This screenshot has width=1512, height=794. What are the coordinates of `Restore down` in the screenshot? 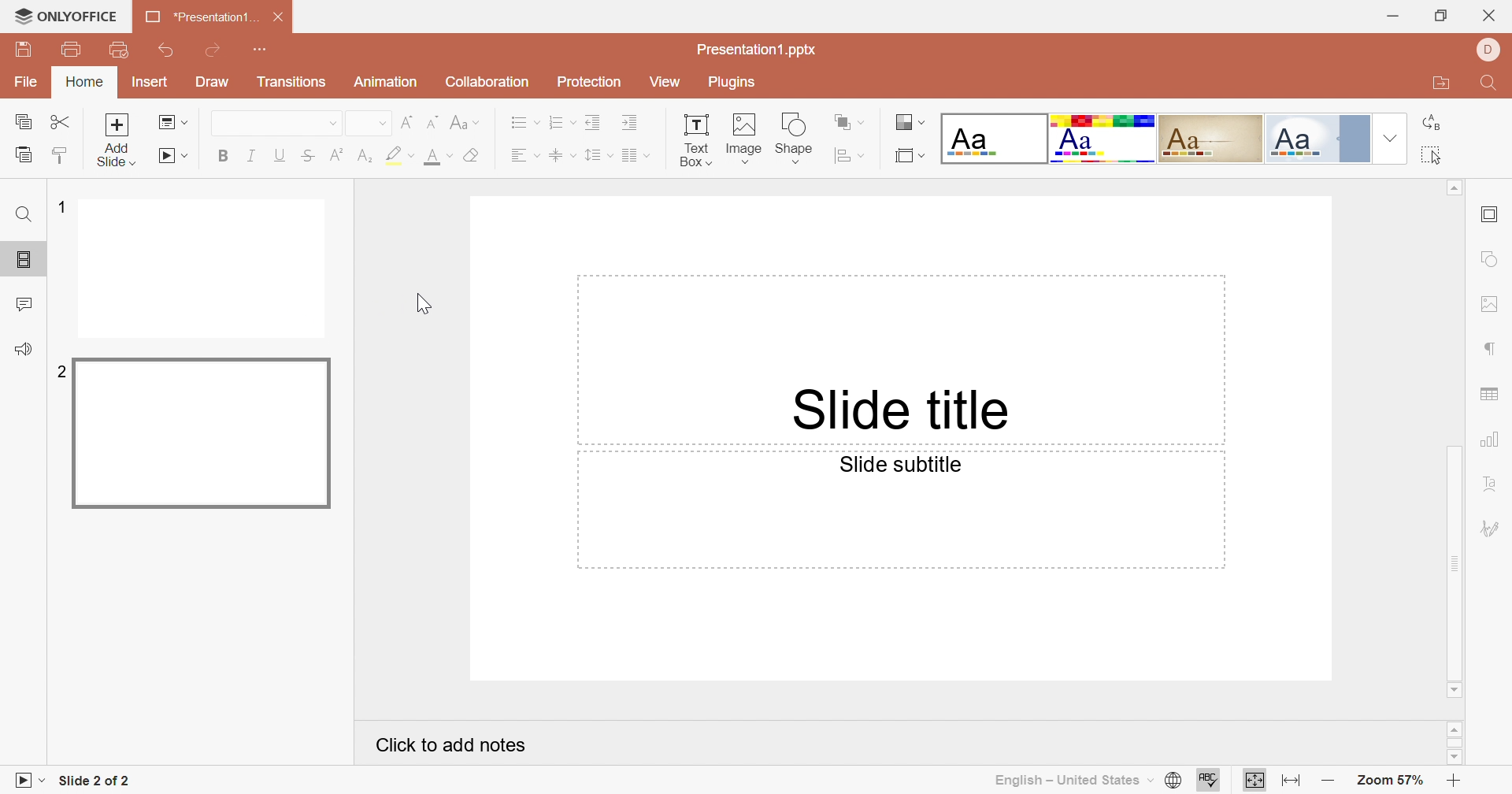 It's located at (1444, 15).